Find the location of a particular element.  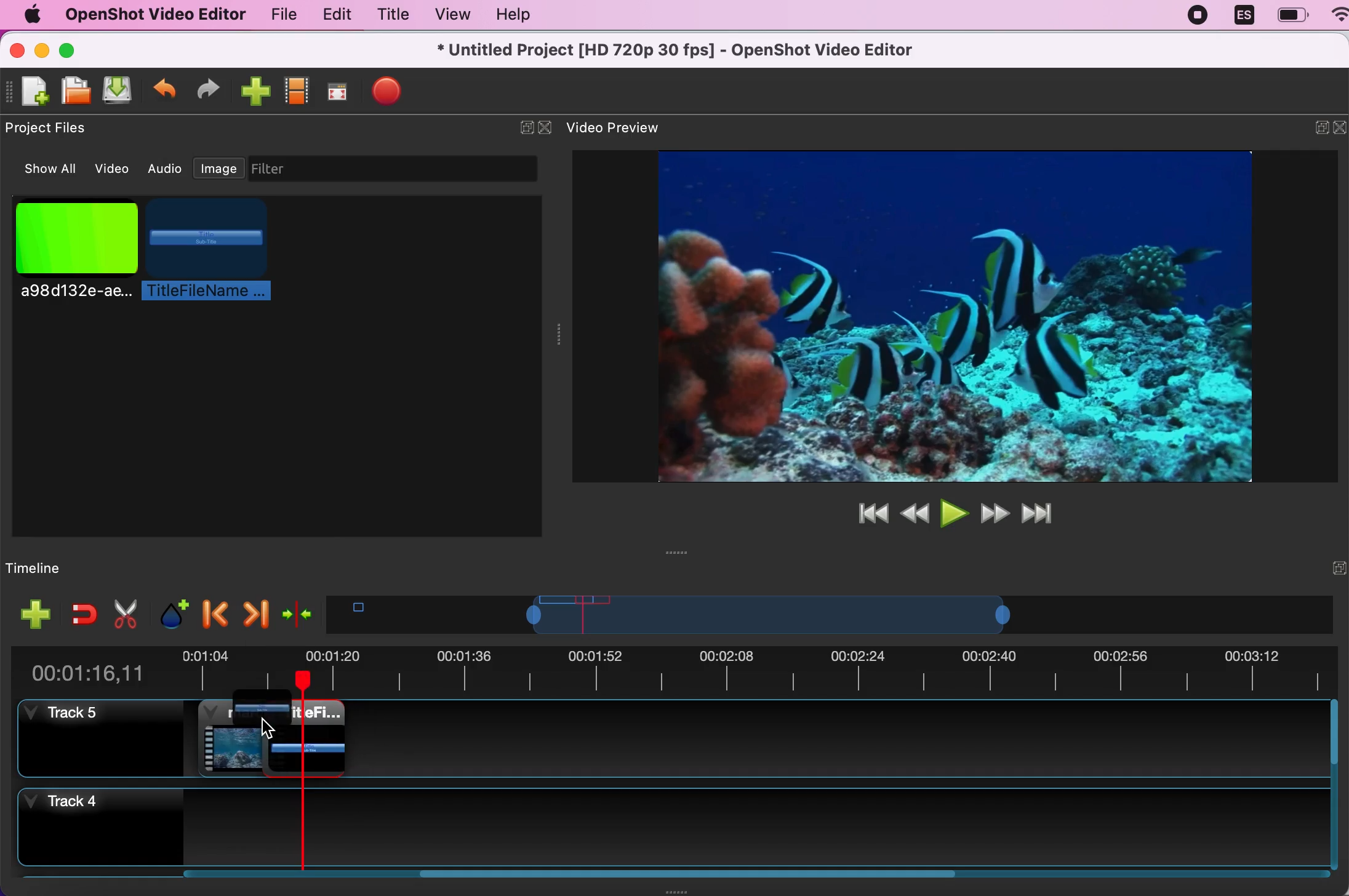

language is located at coordinates (1244, 17).